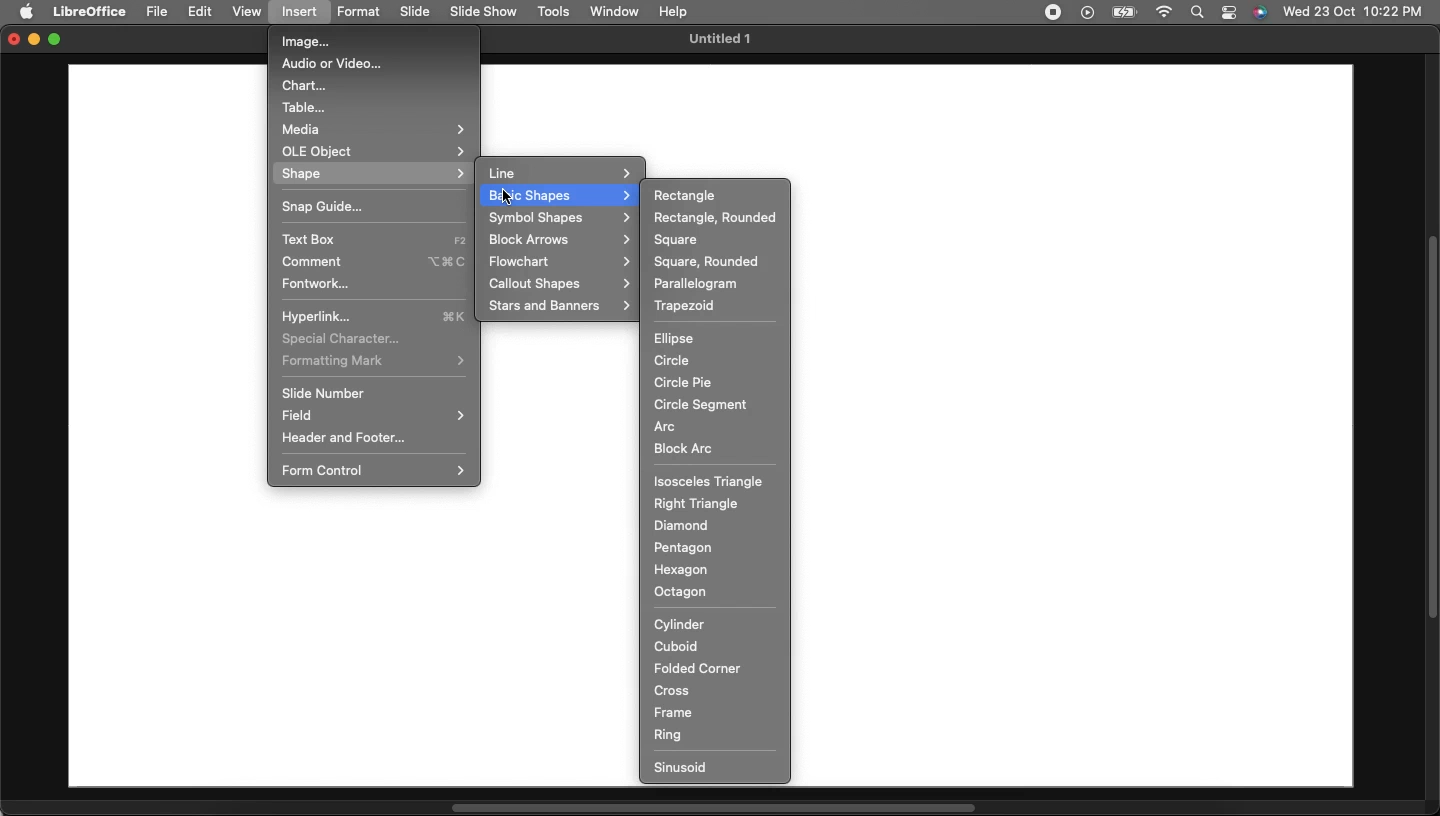 The height and width of the screenshot is (816, 1440). Describe the element at coordinates (335, 65) in the screenshot. I see `Audio or video` at that location.